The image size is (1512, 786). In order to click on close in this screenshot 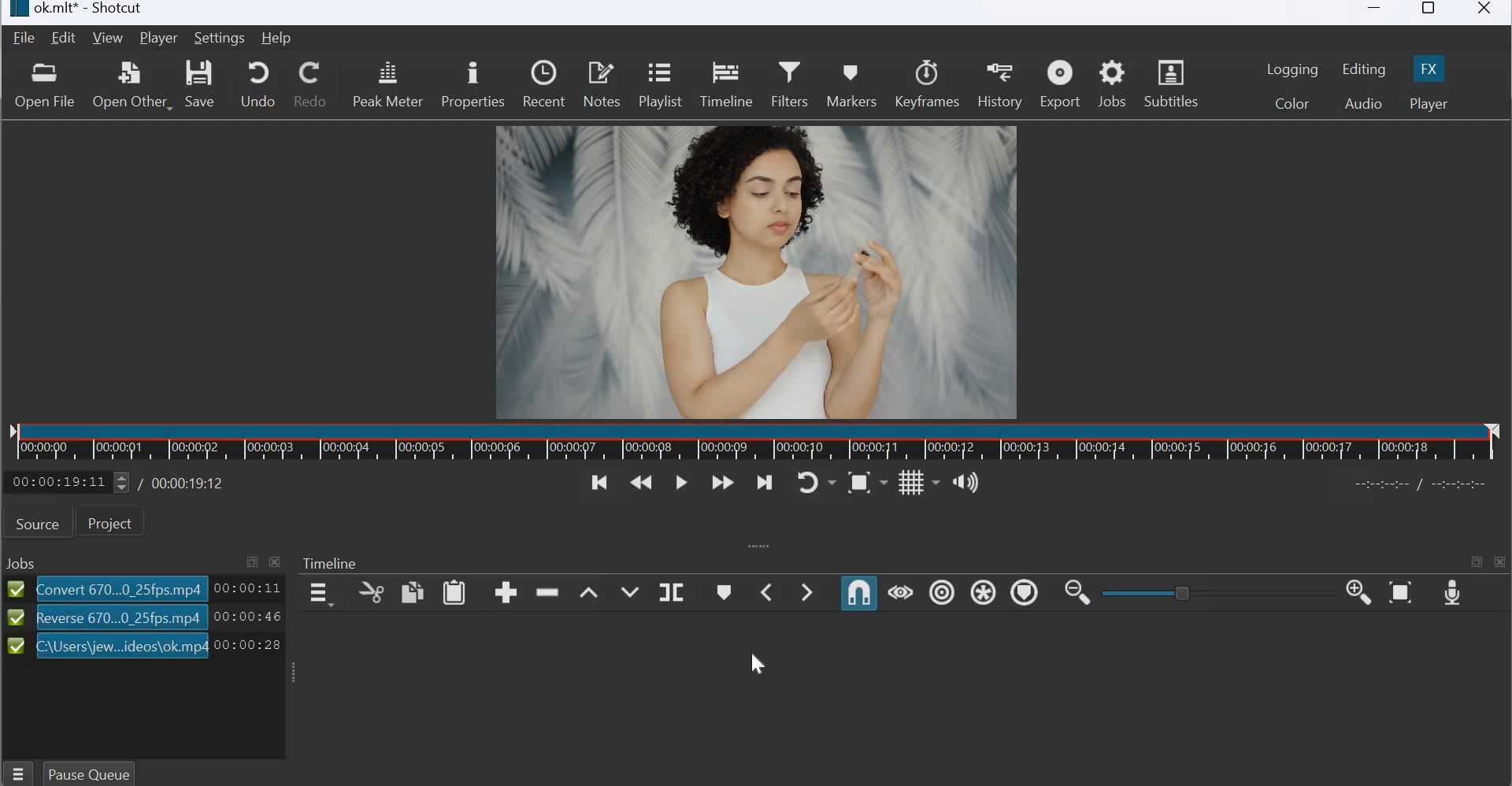, I will do `click(274, 562)`.